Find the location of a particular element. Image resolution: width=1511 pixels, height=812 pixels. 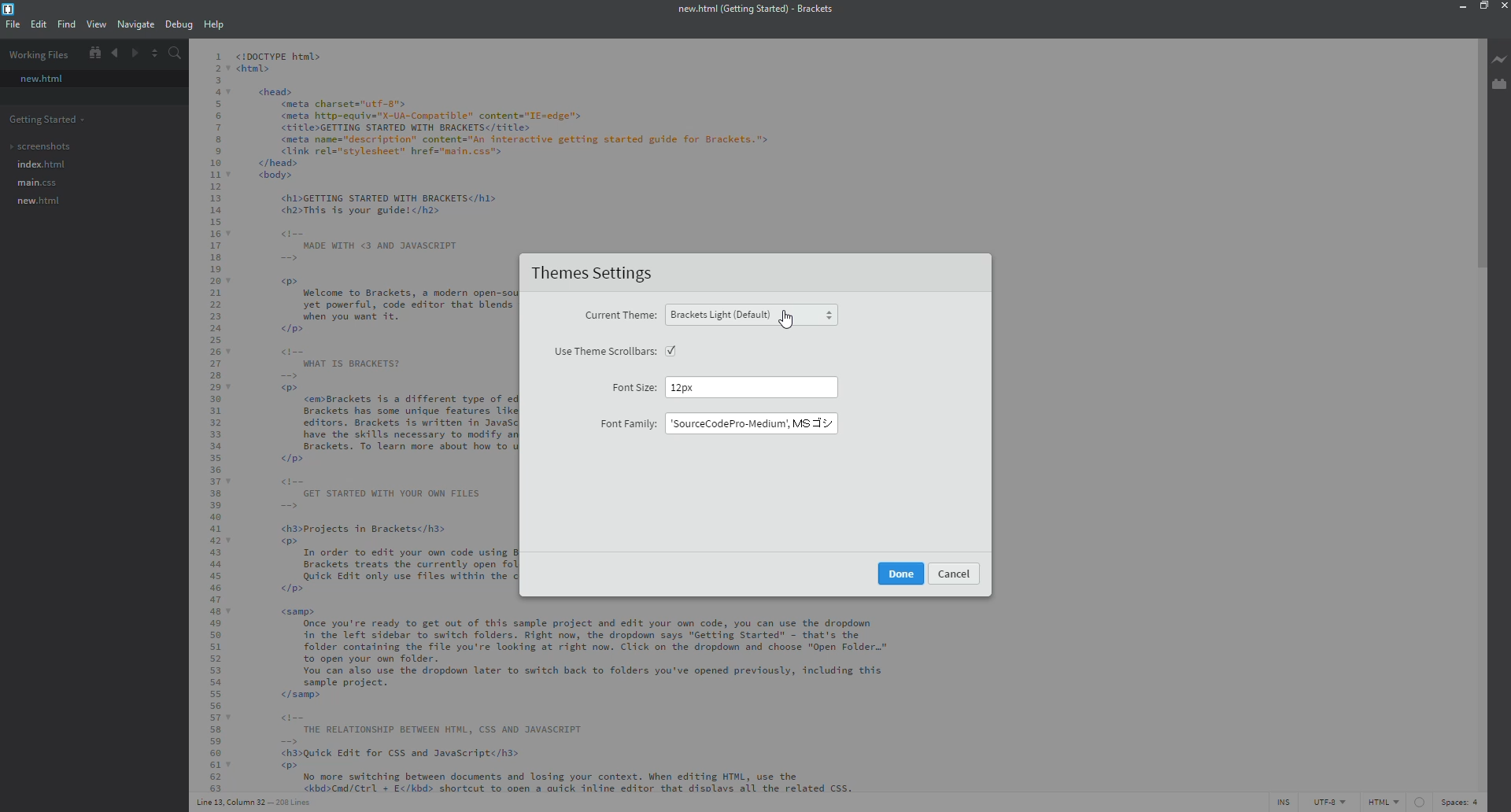

main is located at coordinates (36, 183).